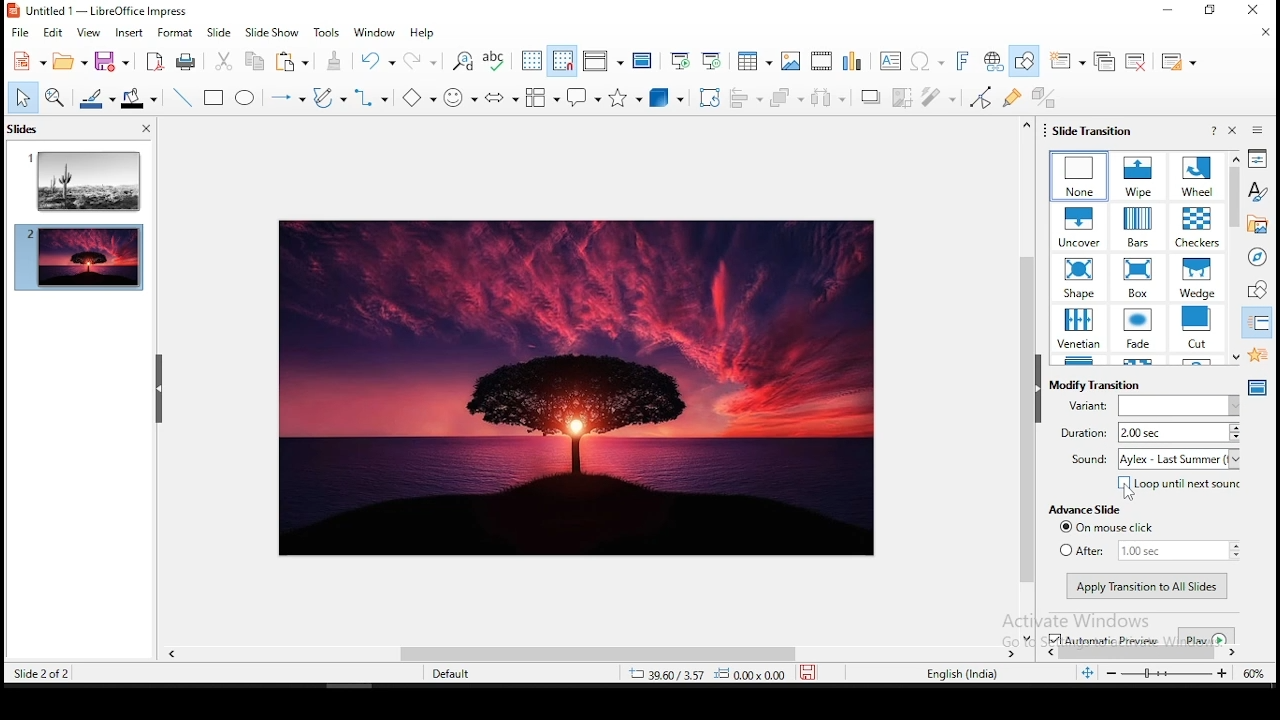 This screenshot has height=720, width=1280. What do you see at coordinates (416, 100) in the screenshot?
I see `basic shapes` at bounding box center [416, 100].